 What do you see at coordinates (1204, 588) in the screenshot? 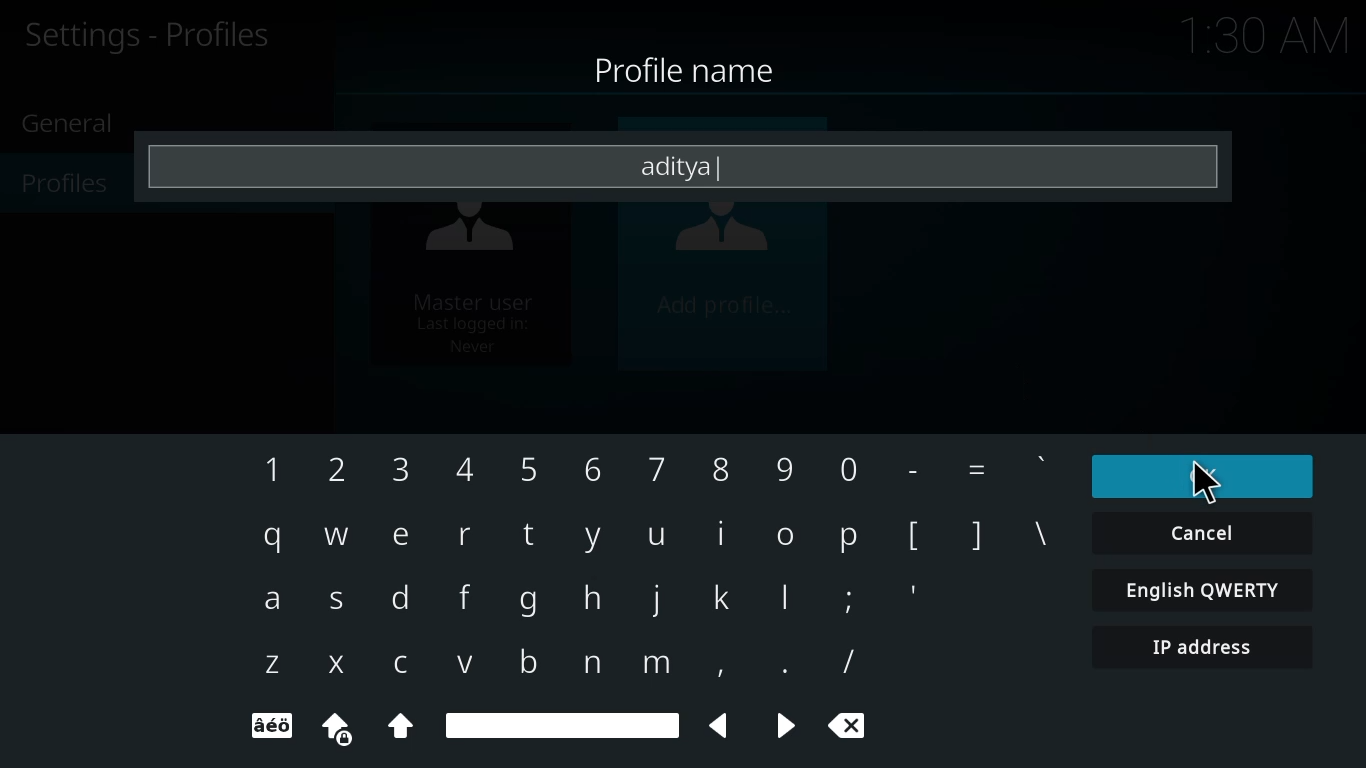
I see `english qwerty` at bounding box center [1204, 588].